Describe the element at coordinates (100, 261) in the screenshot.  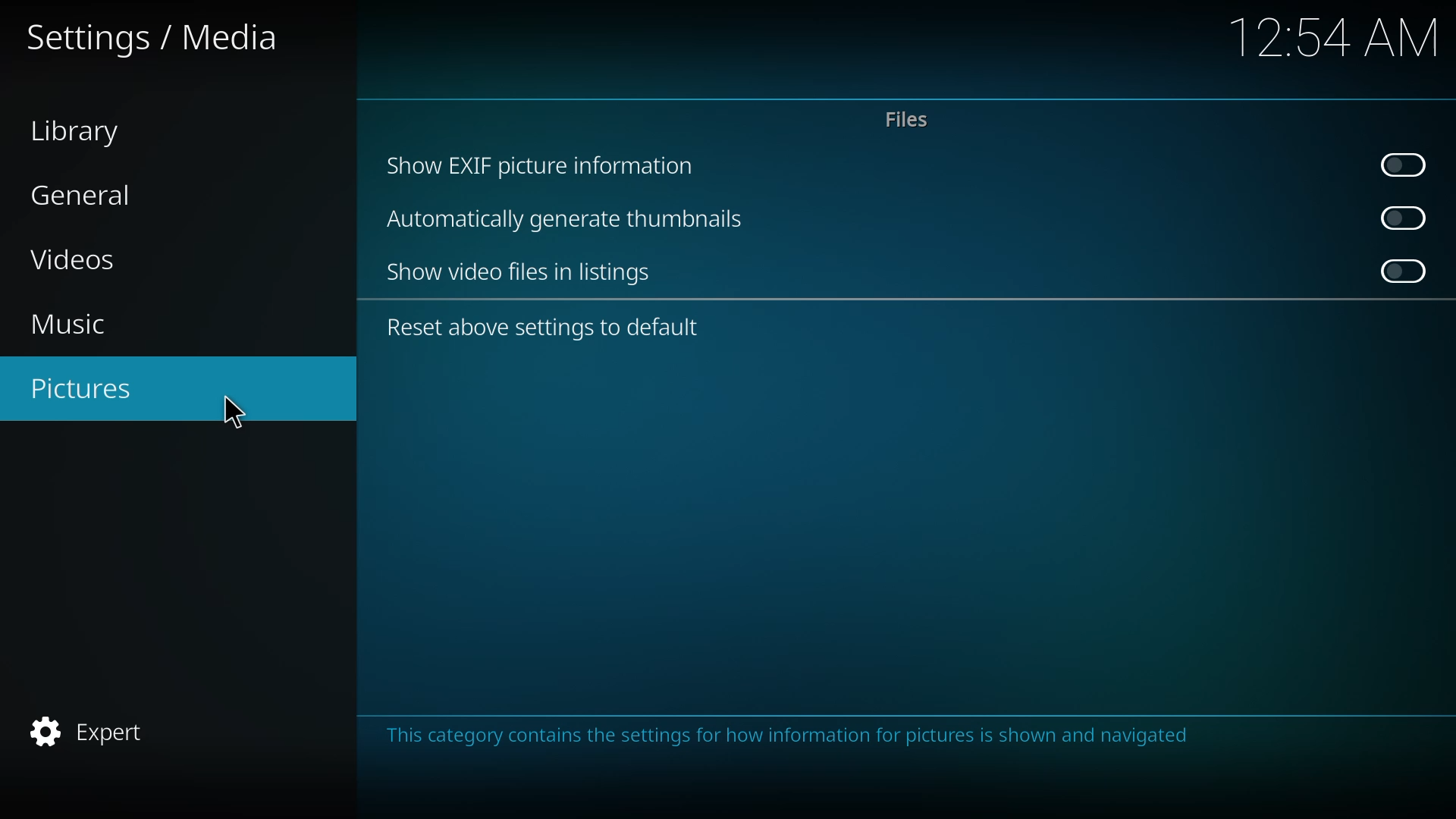
I see `videos` at that location.